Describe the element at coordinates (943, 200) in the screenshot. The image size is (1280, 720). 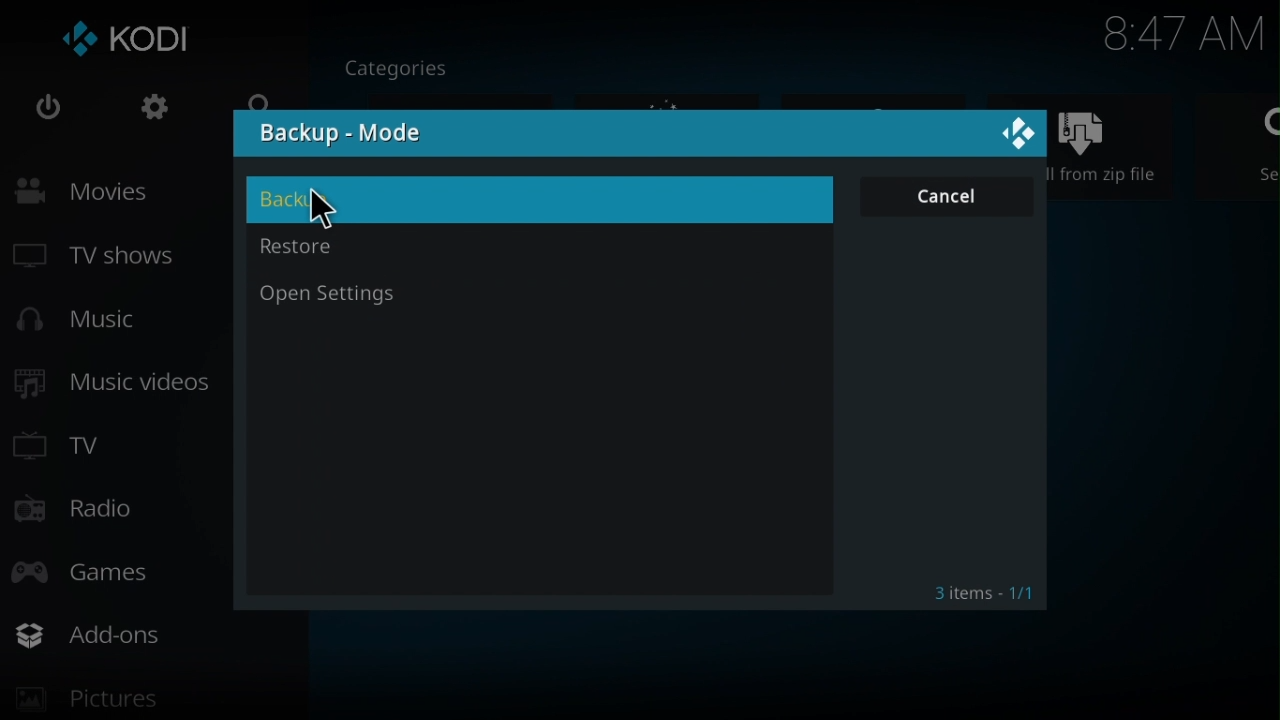
I see `cancel` at that location.